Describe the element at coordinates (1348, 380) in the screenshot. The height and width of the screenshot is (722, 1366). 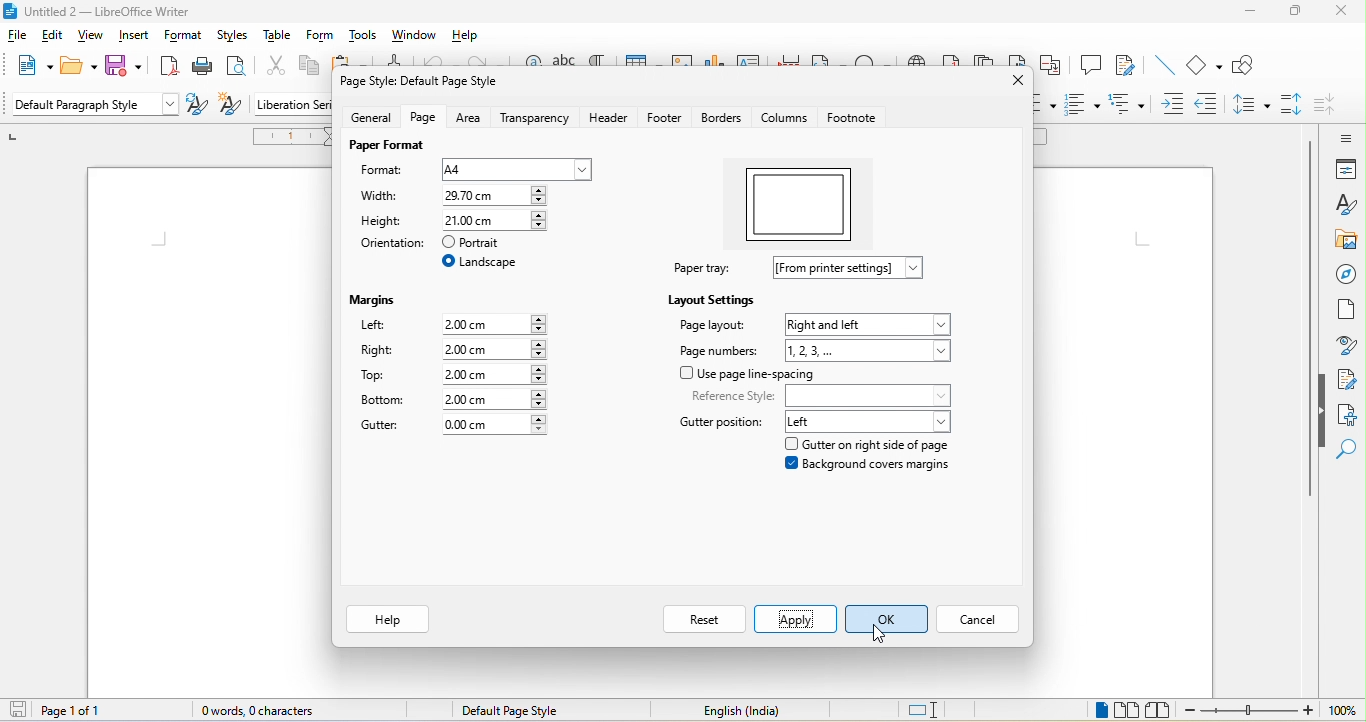
I see `manage changes` at that location.